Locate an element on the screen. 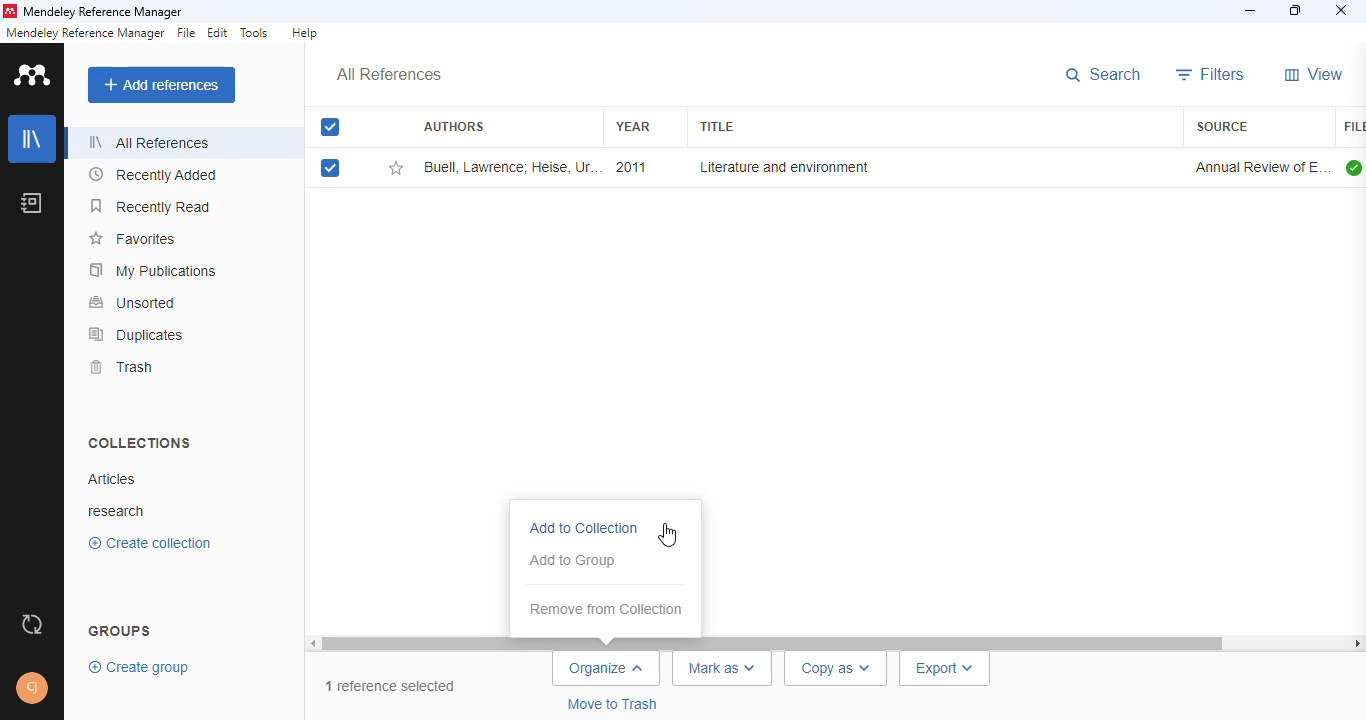 Image resolution: width=1366 pixels, height=720 pixels. select is located at coordinates (331, 127).